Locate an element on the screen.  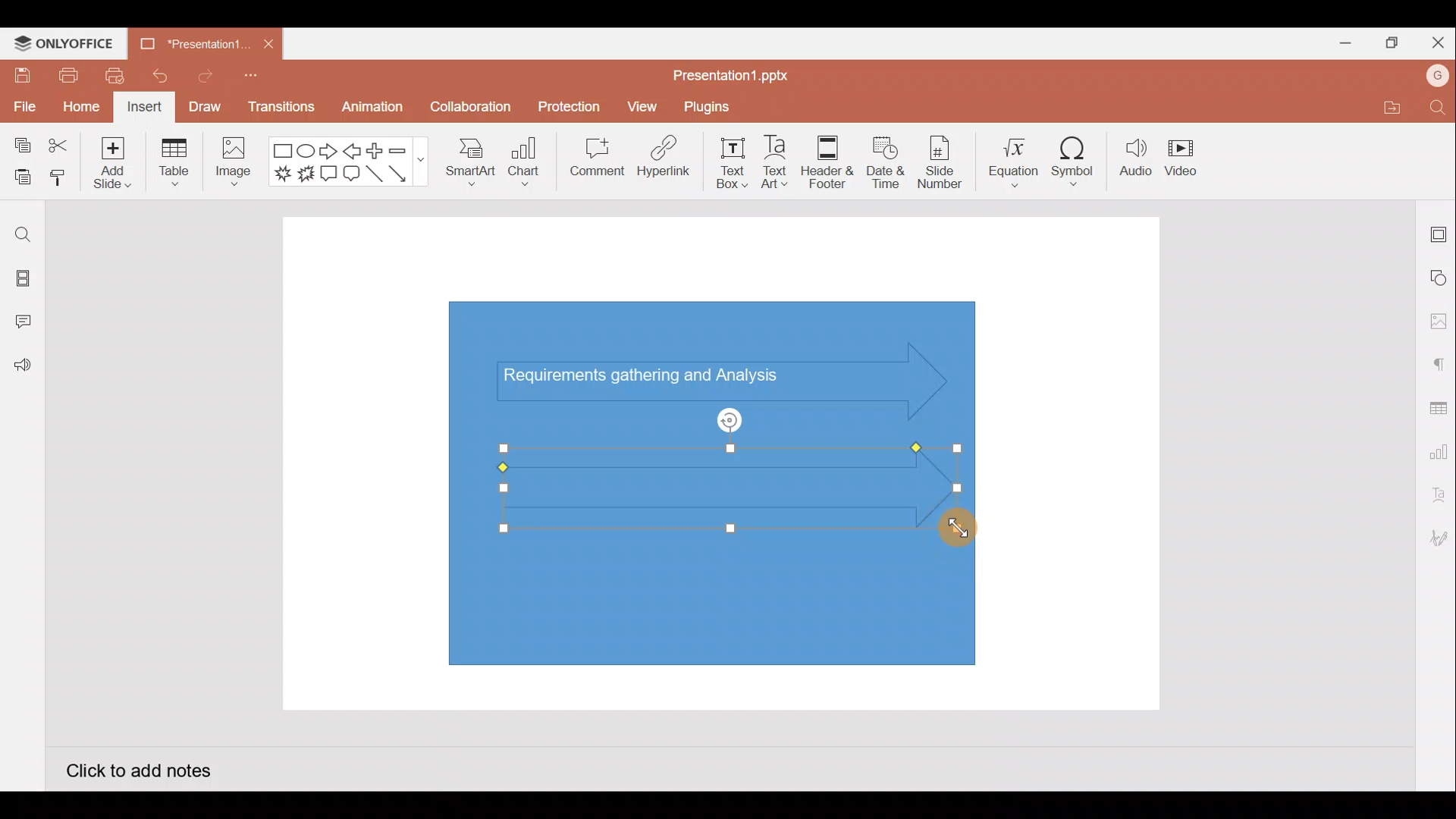
Chart is located at coordinates (525, 160).